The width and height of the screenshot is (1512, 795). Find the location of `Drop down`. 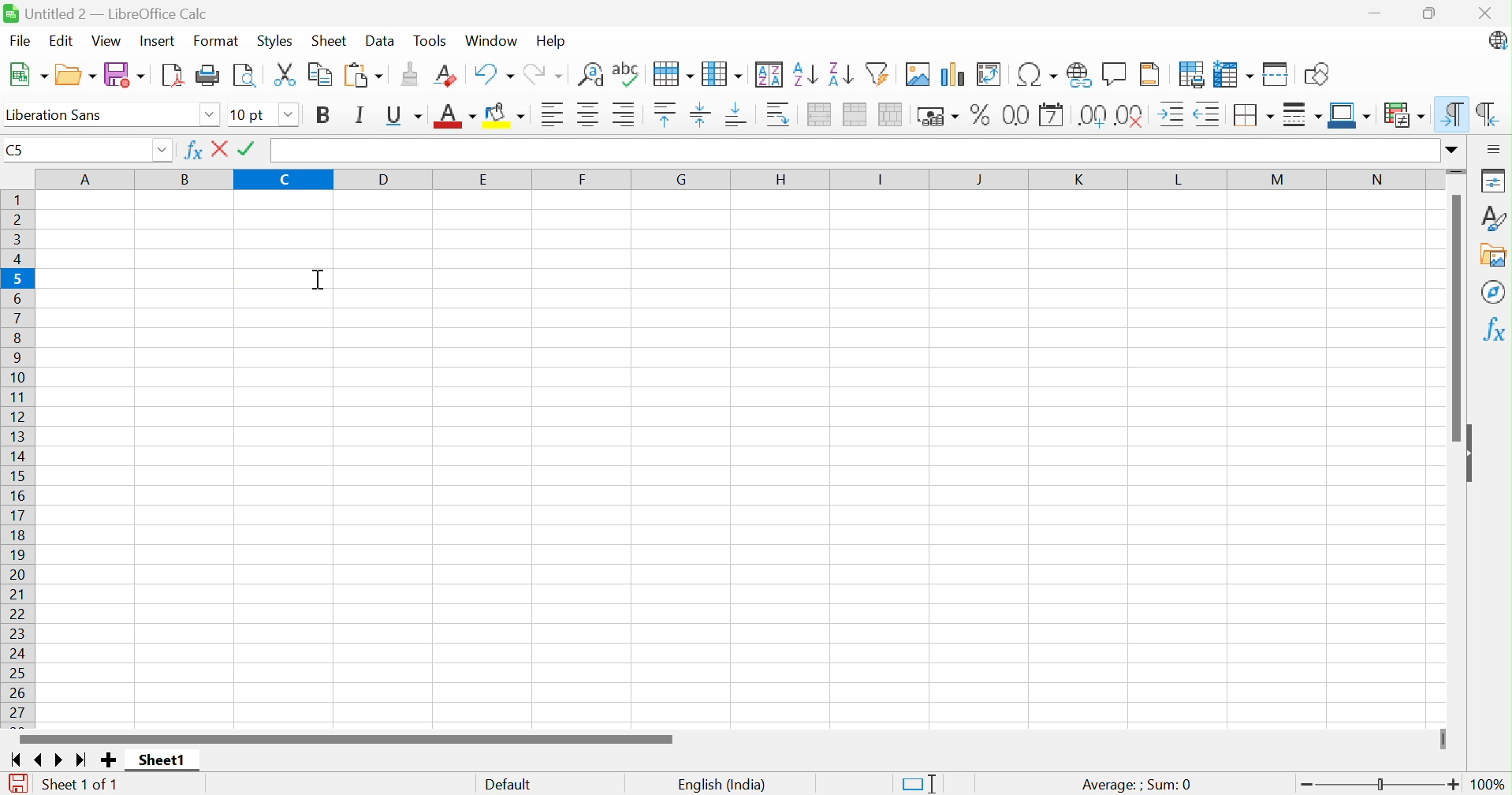

Drop down is located at coordinates (210, 116).